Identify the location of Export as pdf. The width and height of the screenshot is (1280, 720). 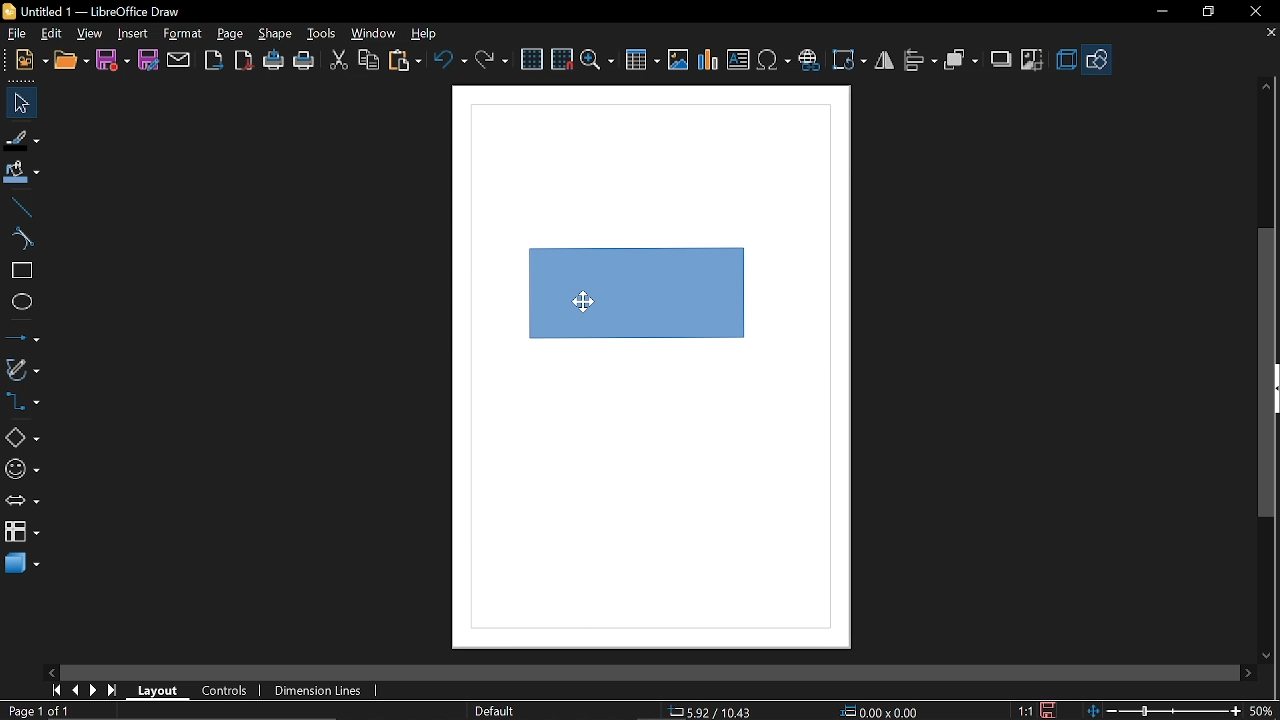
(245, 61).